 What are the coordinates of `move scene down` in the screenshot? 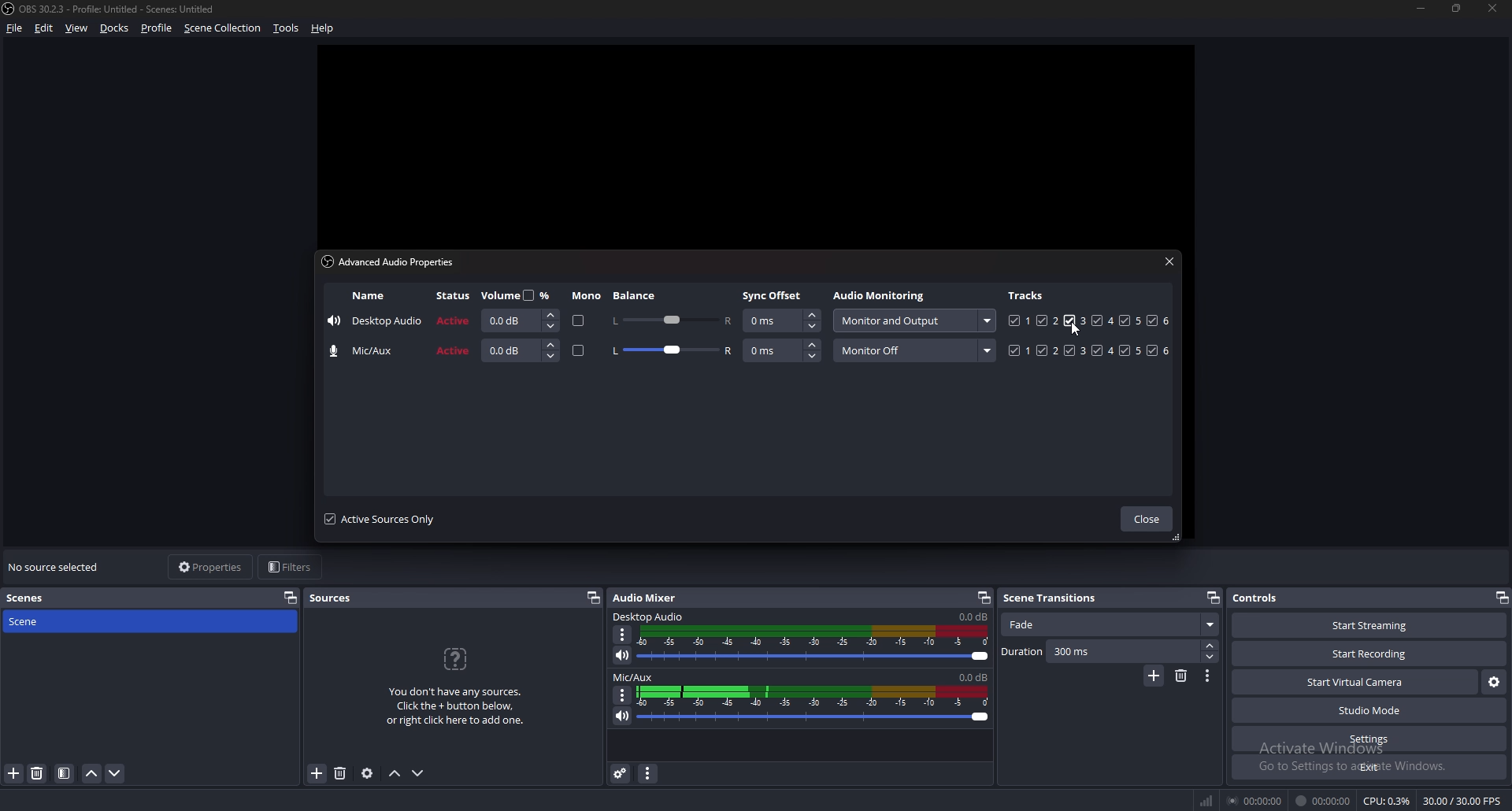 It's located at (115, 774).